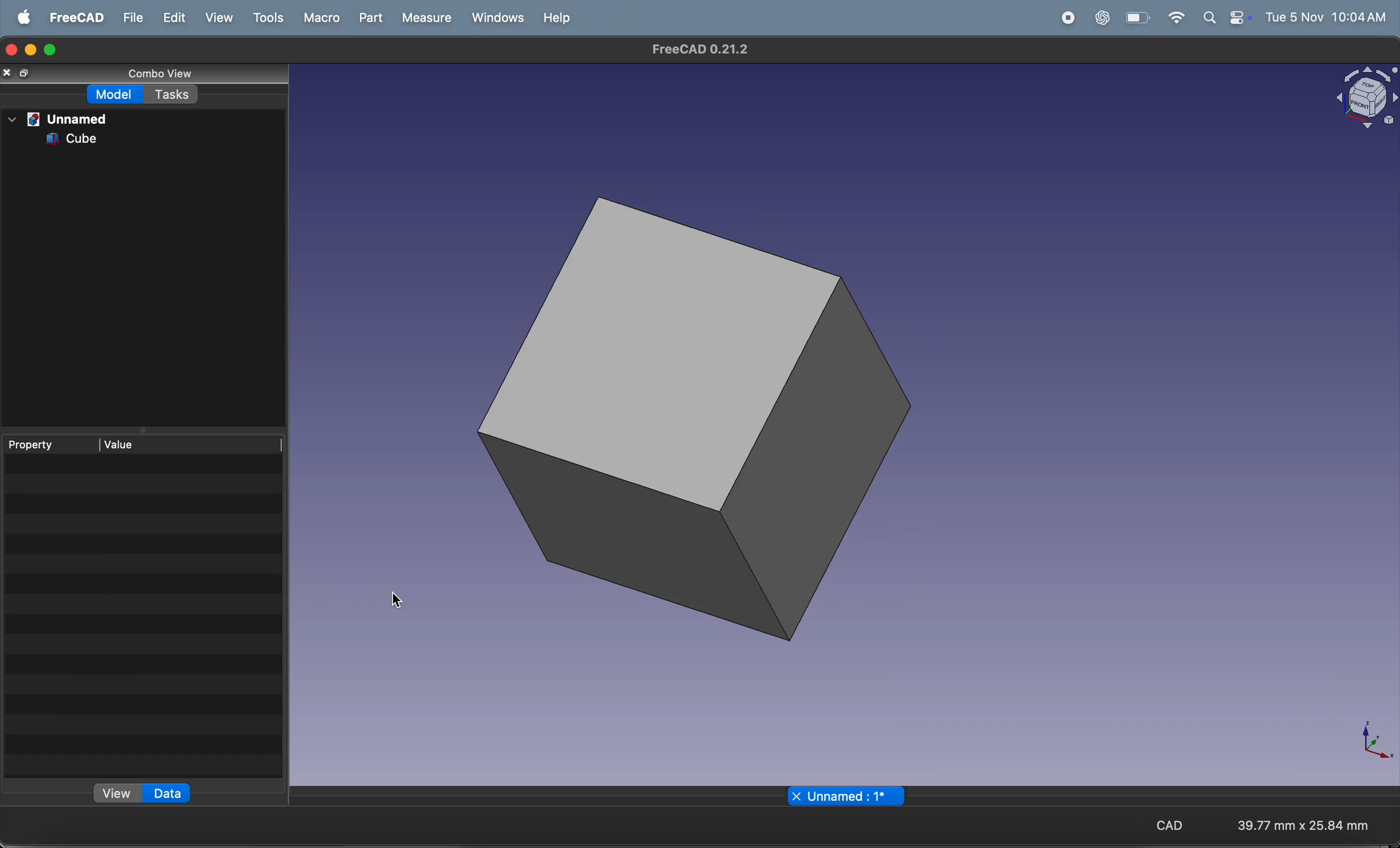  What do you see at coordinates (127, 445) in the screenshot?
I see `value` at bounding box center [127, 445].